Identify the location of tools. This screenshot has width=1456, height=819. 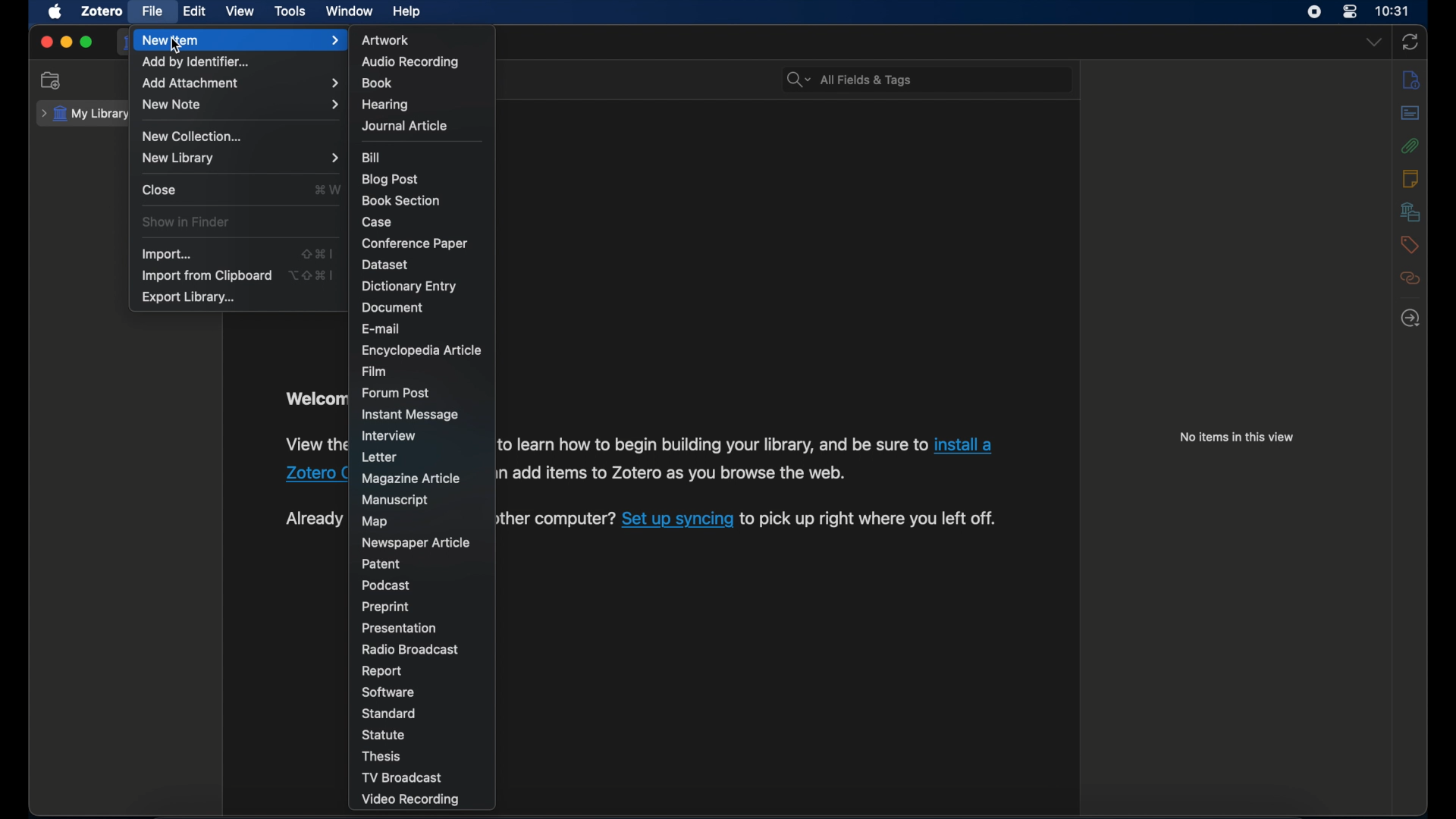
(290, 11).